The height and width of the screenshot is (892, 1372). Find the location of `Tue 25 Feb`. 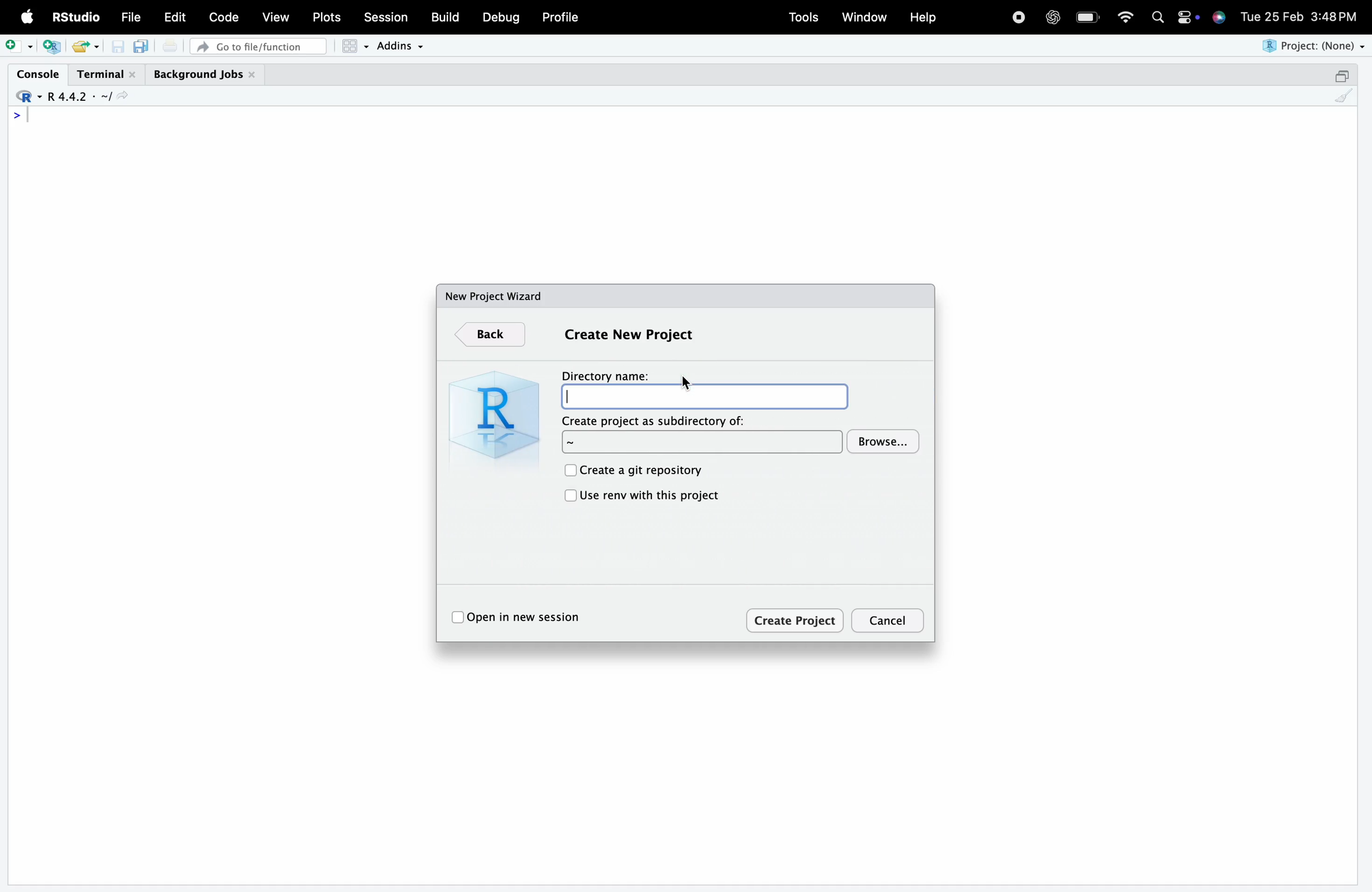

Tue 25 Feb is located at coordinates (1271, 15).